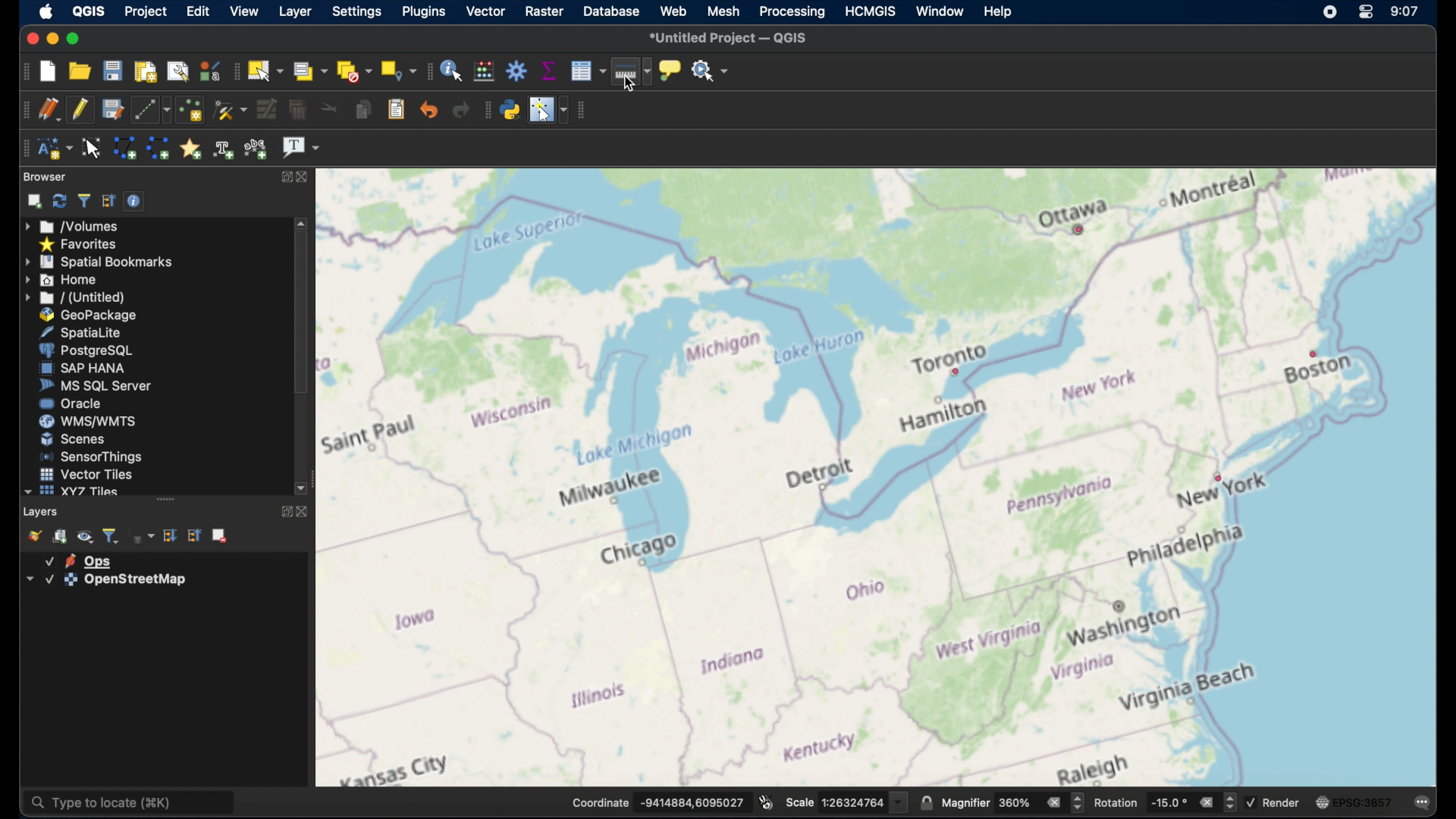  I want to click on filter legend by expression, so click(143, 538).